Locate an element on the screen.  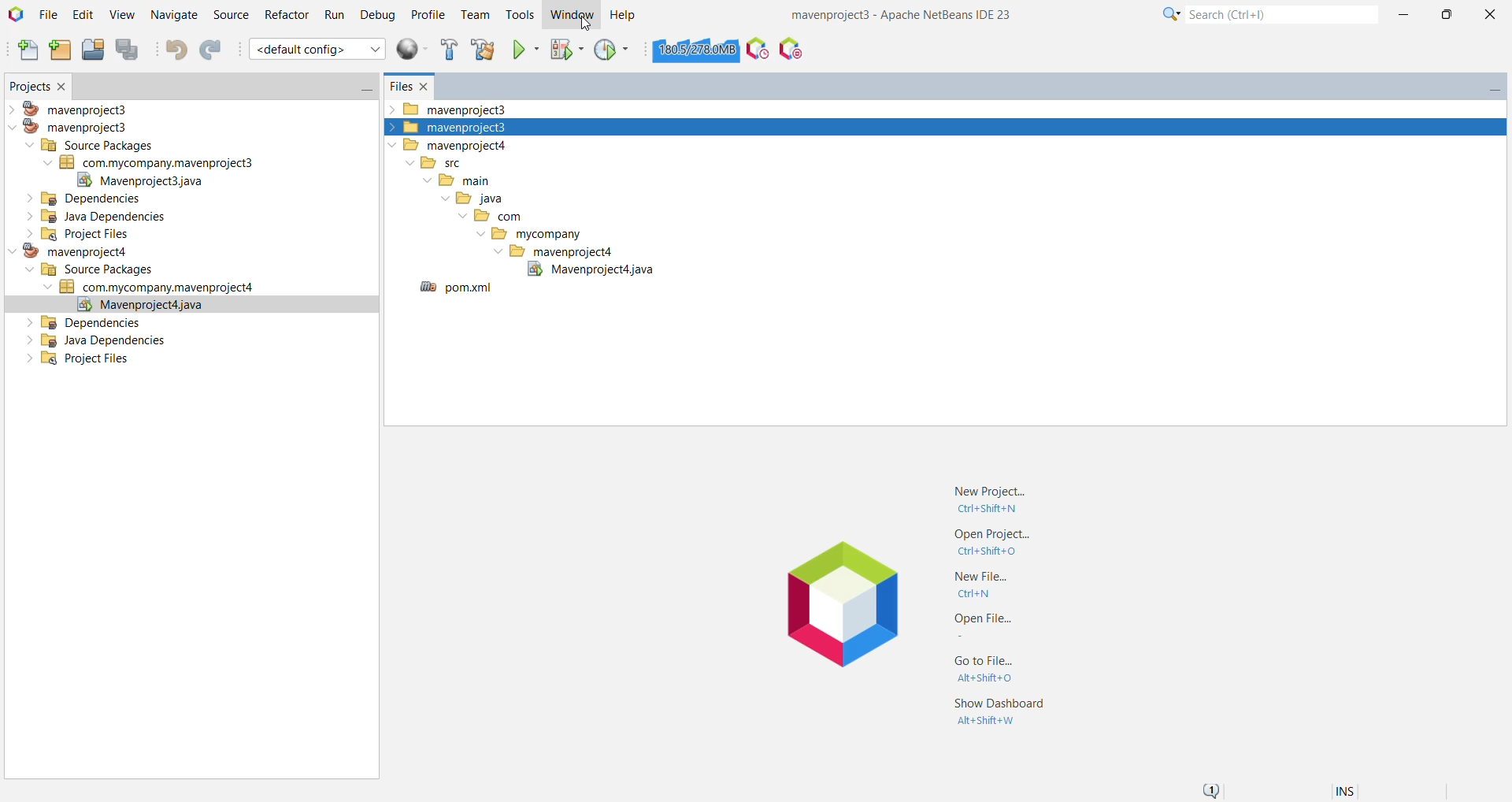
Build Project is located at coordinates (449, 50).